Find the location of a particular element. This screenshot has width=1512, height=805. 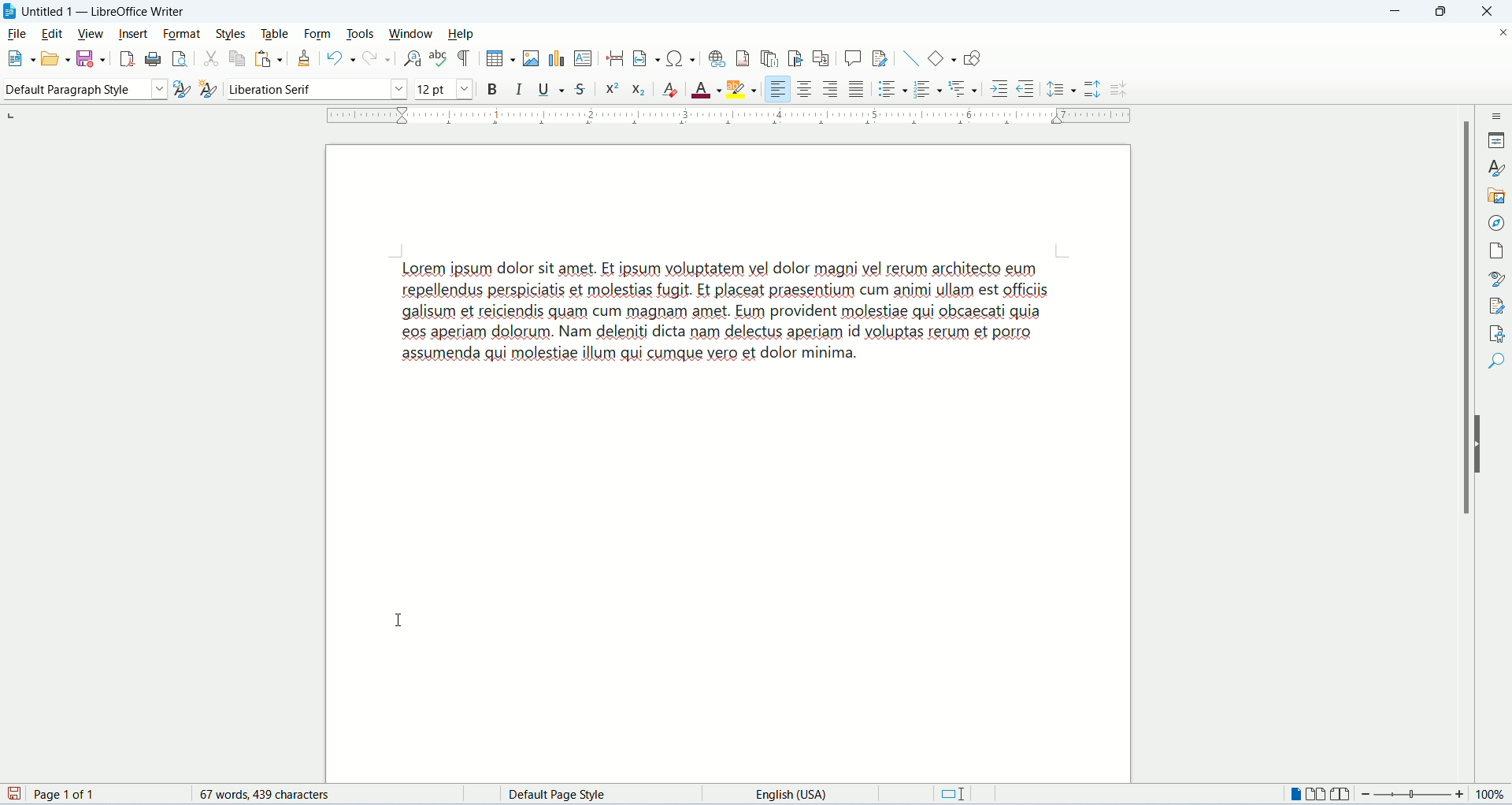

insert bookmark is located at coordinates (795, 60).